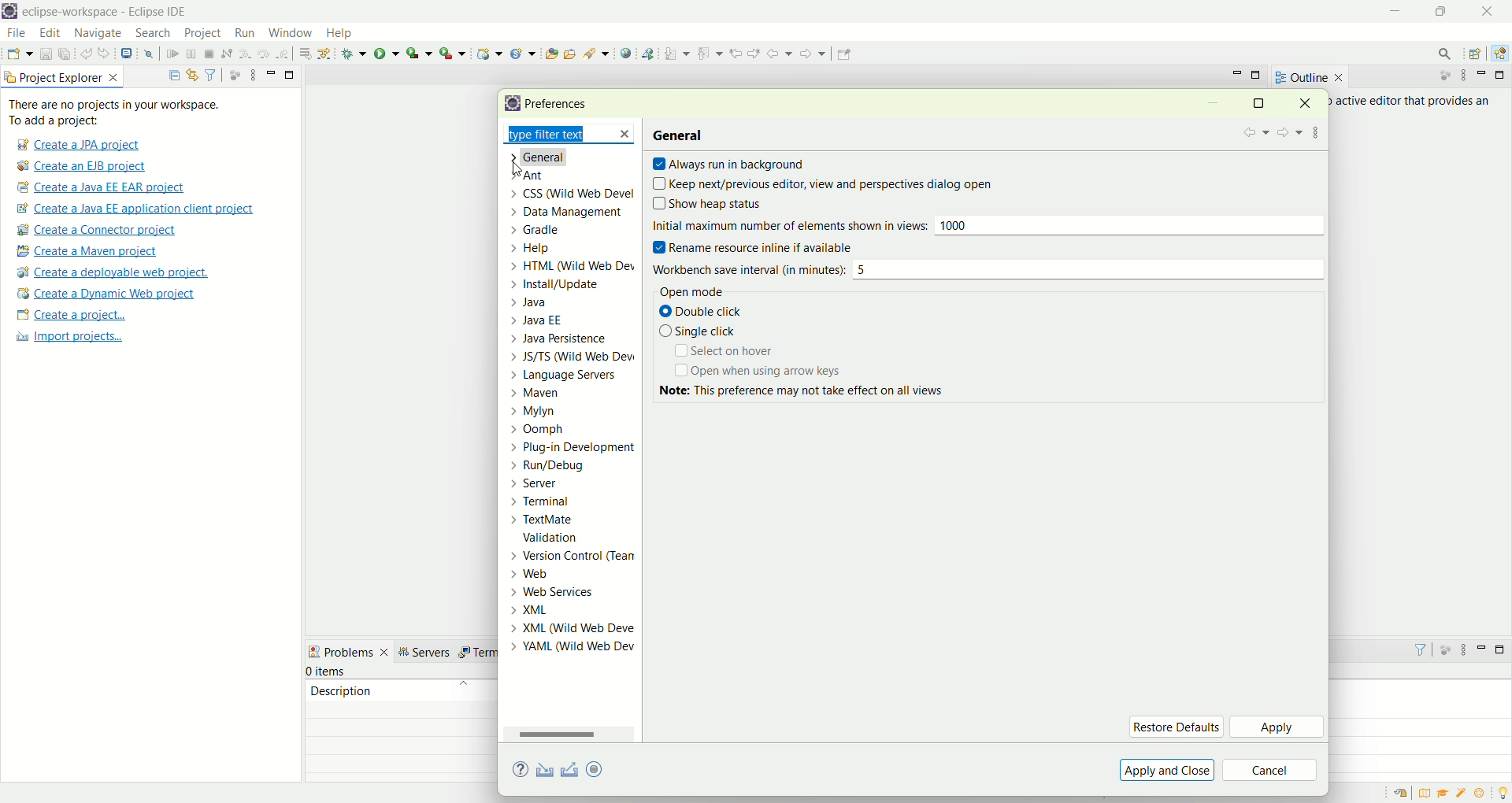 This screenshot has height=803, width=1512. Describe the element at coordinates (291, 73) in the screenshot. I see `maximize` at that location.